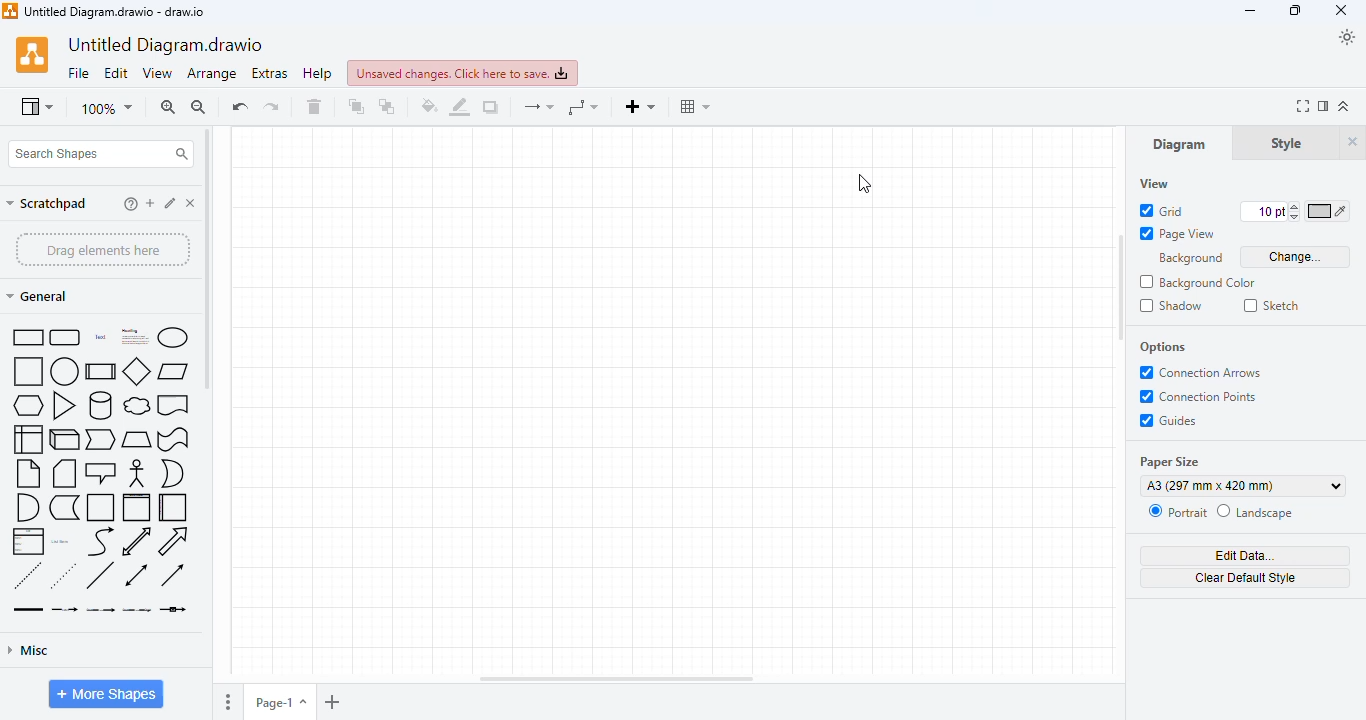 This screenshot has width=1366, height=720. What do you see at coordinates (133, 336) in the screenshot?
I see `heading` at bounding box center [133, 336].